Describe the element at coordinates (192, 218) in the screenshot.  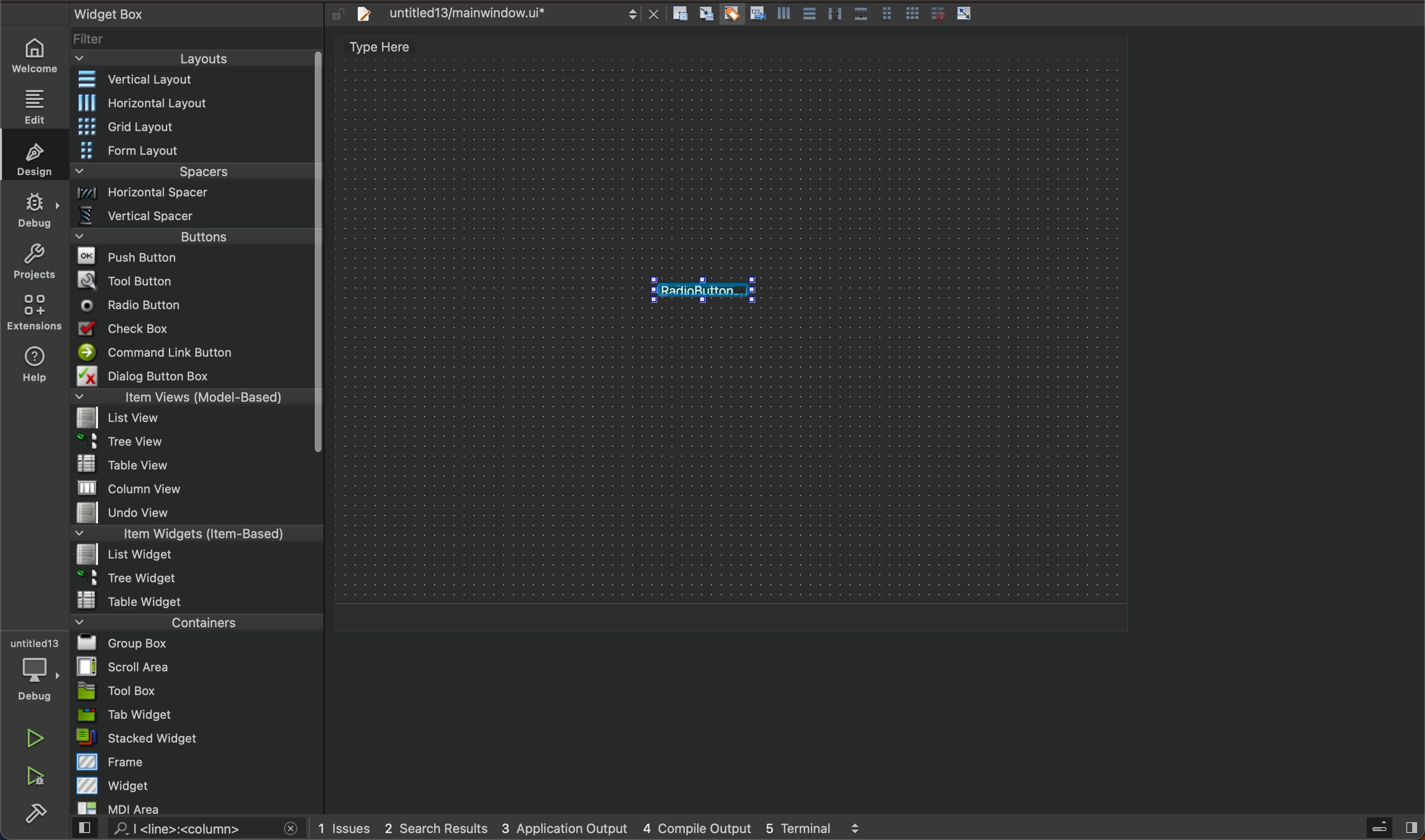
I see `vertical spacer` at that location.